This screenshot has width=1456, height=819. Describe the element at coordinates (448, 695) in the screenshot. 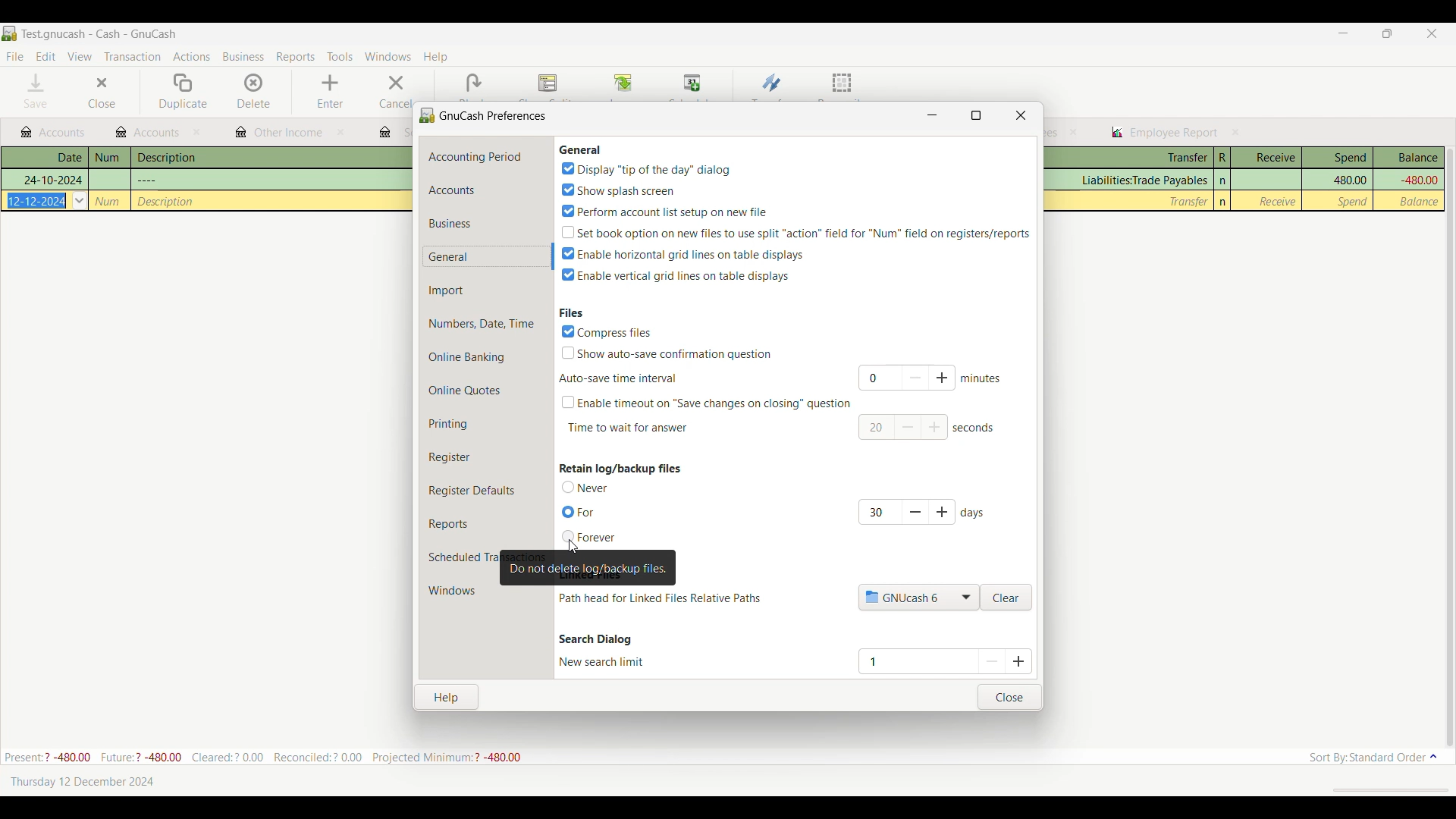

I see `Help` at that location.